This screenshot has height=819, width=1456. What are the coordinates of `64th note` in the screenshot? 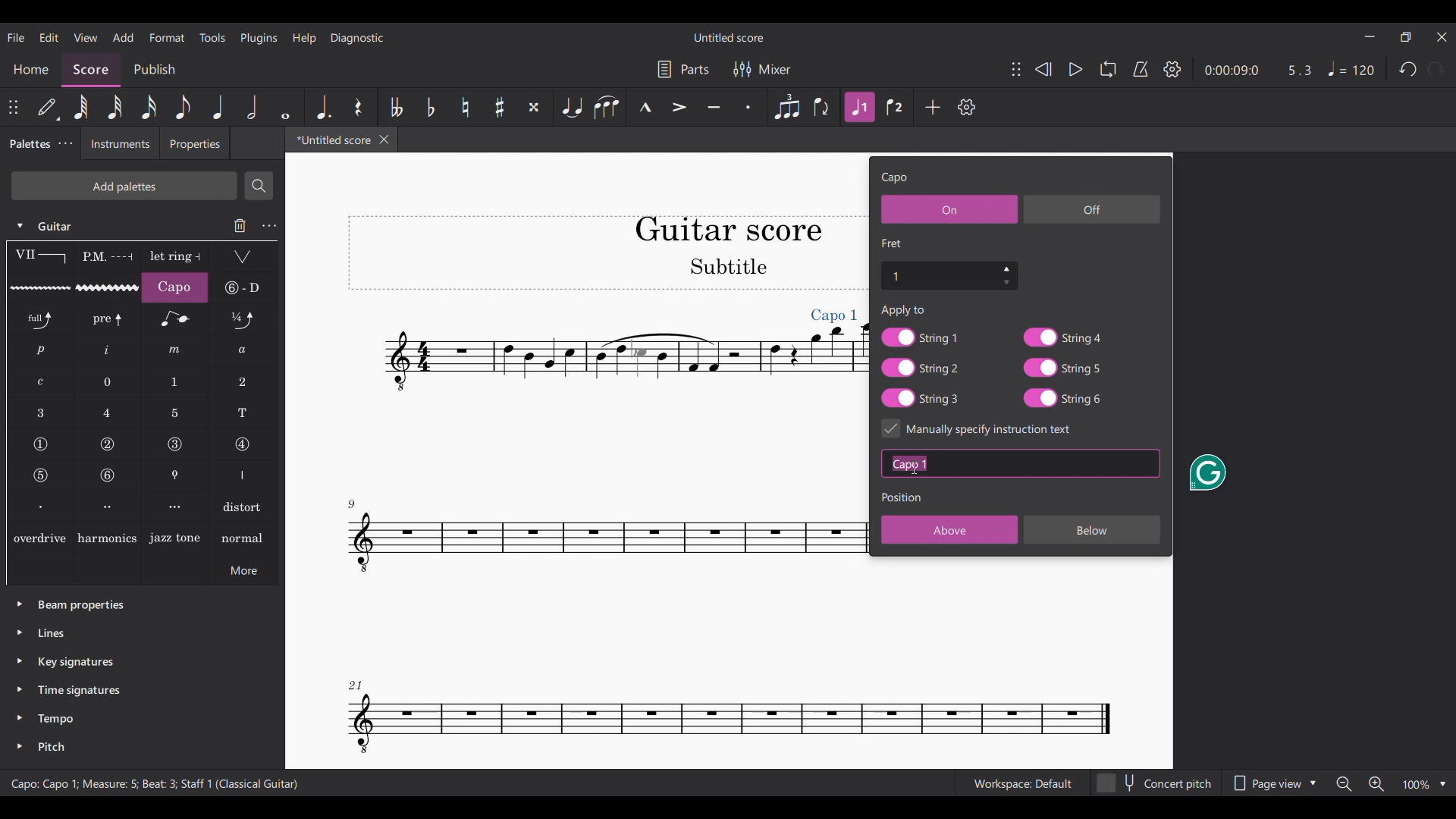 It's located at (81, 107).